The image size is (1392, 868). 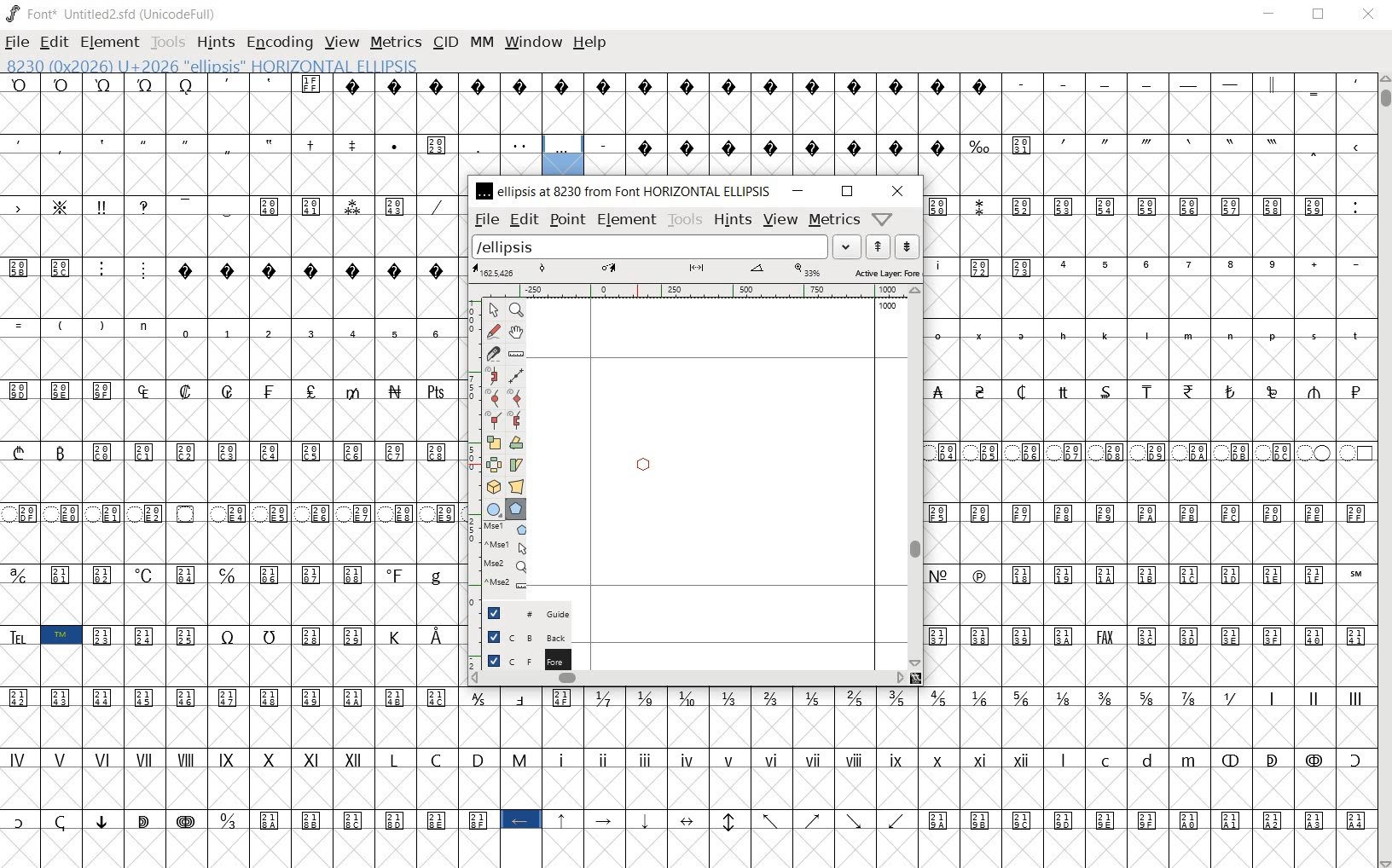 What do you see at coordinates (517, 486) in the screenshot?
I see `perform a perspective transformation on the selection` at bounding box center [517, 486].